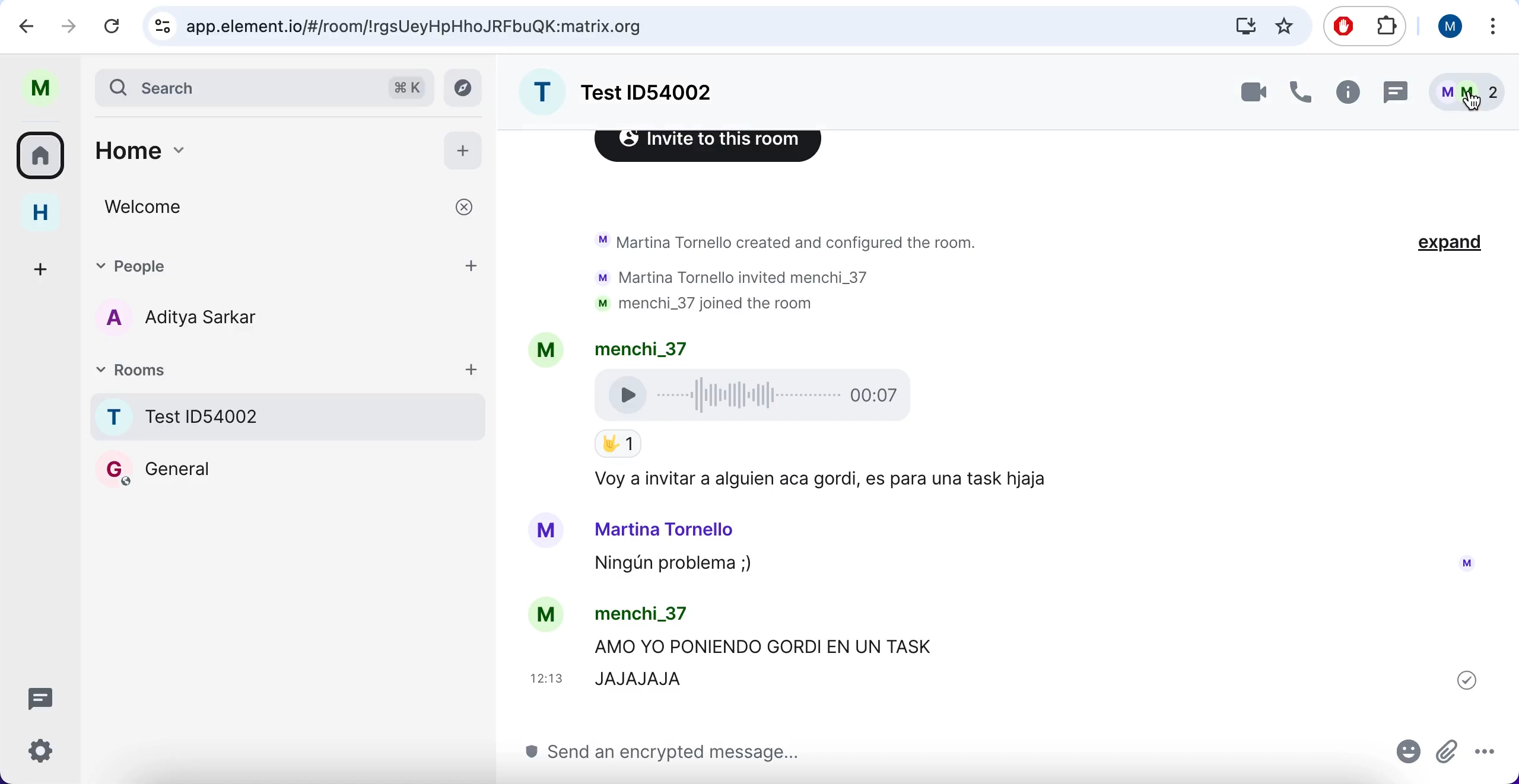  What do you see at coordinates (1468, 94) in the screenshot?
I see `members` at bounding box center [1468, 94].